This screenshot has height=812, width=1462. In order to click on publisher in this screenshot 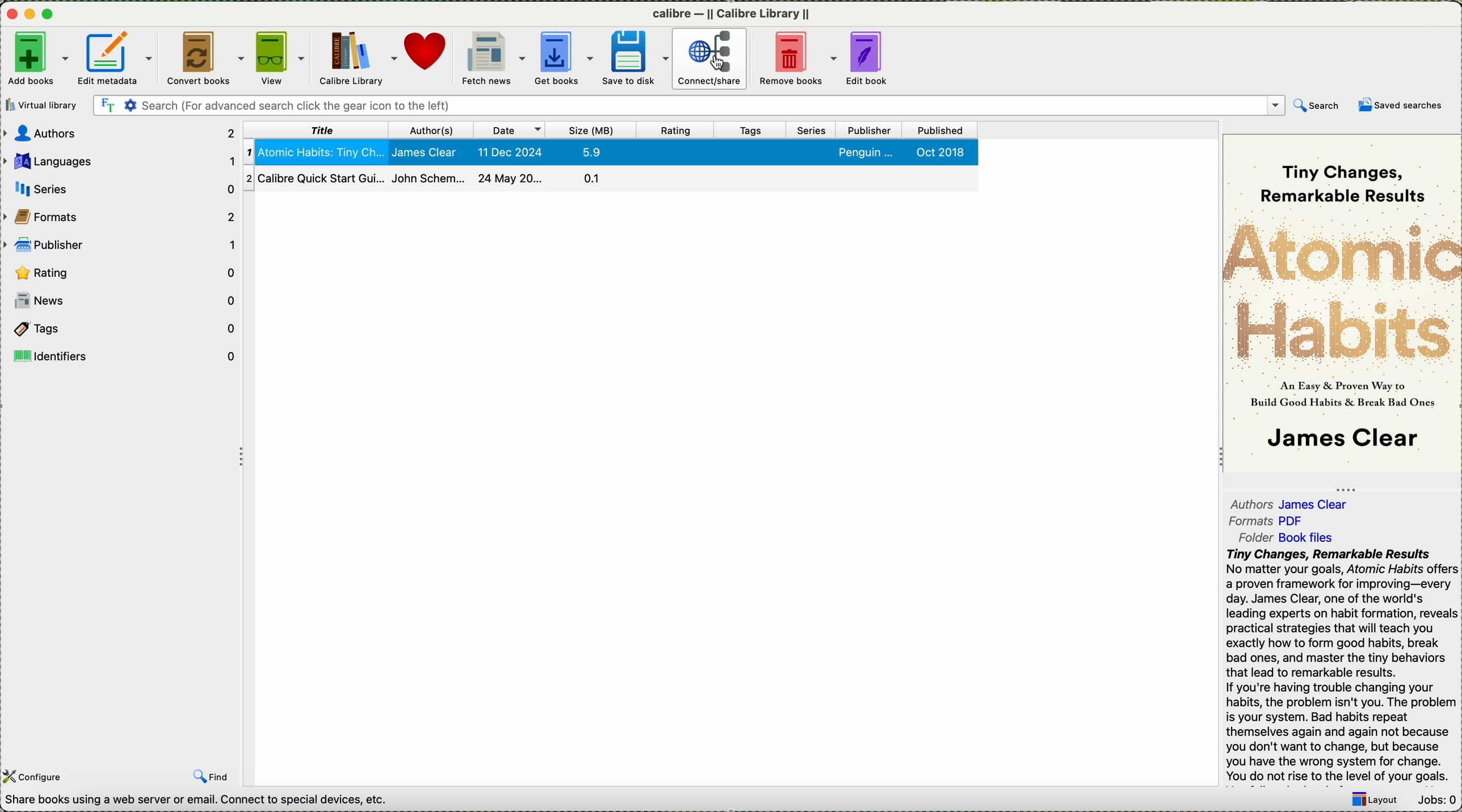, I will do `click(869, 129)`.